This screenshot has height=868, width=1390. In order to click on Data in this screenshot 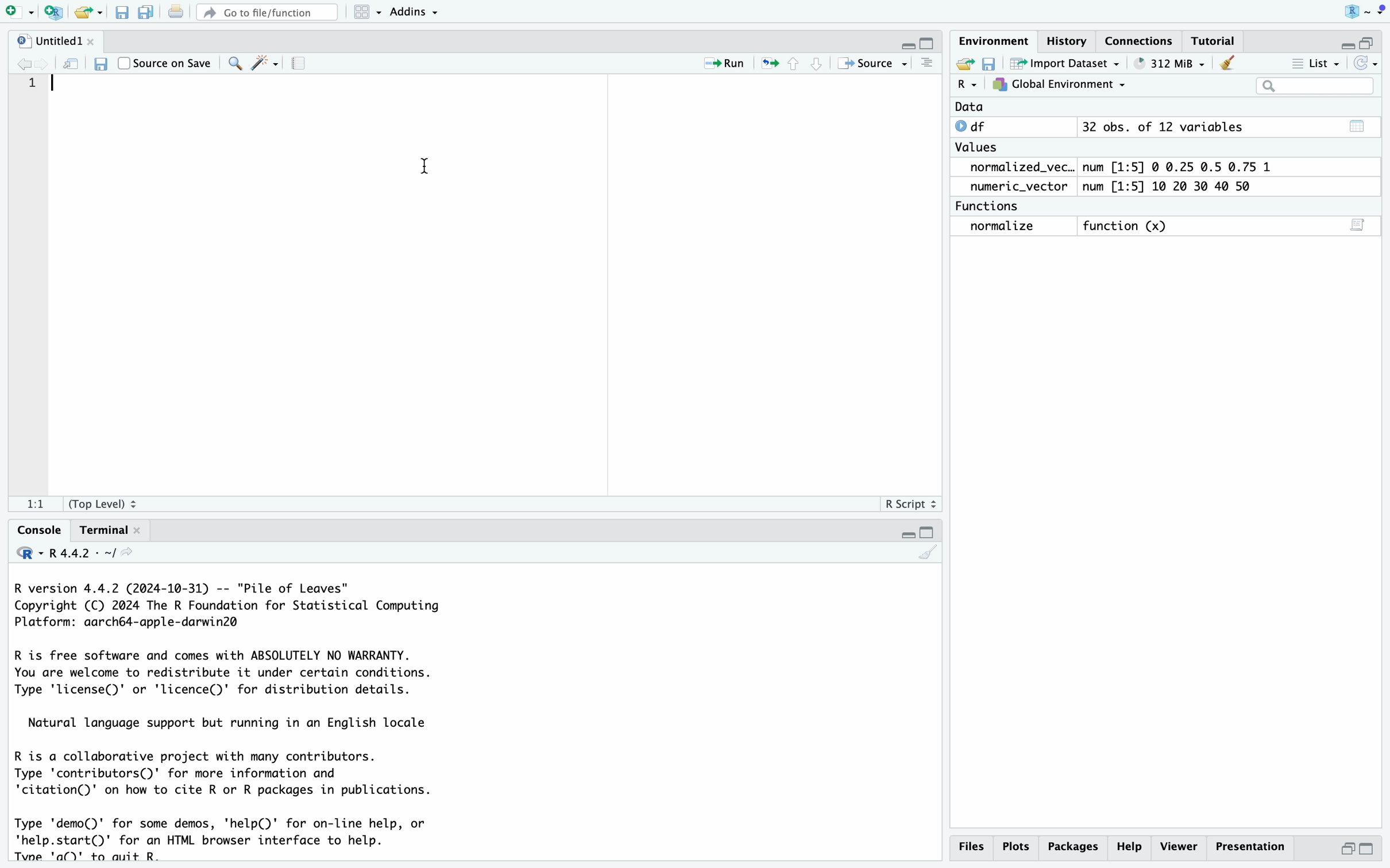, I will do `click(1082, 107)`.